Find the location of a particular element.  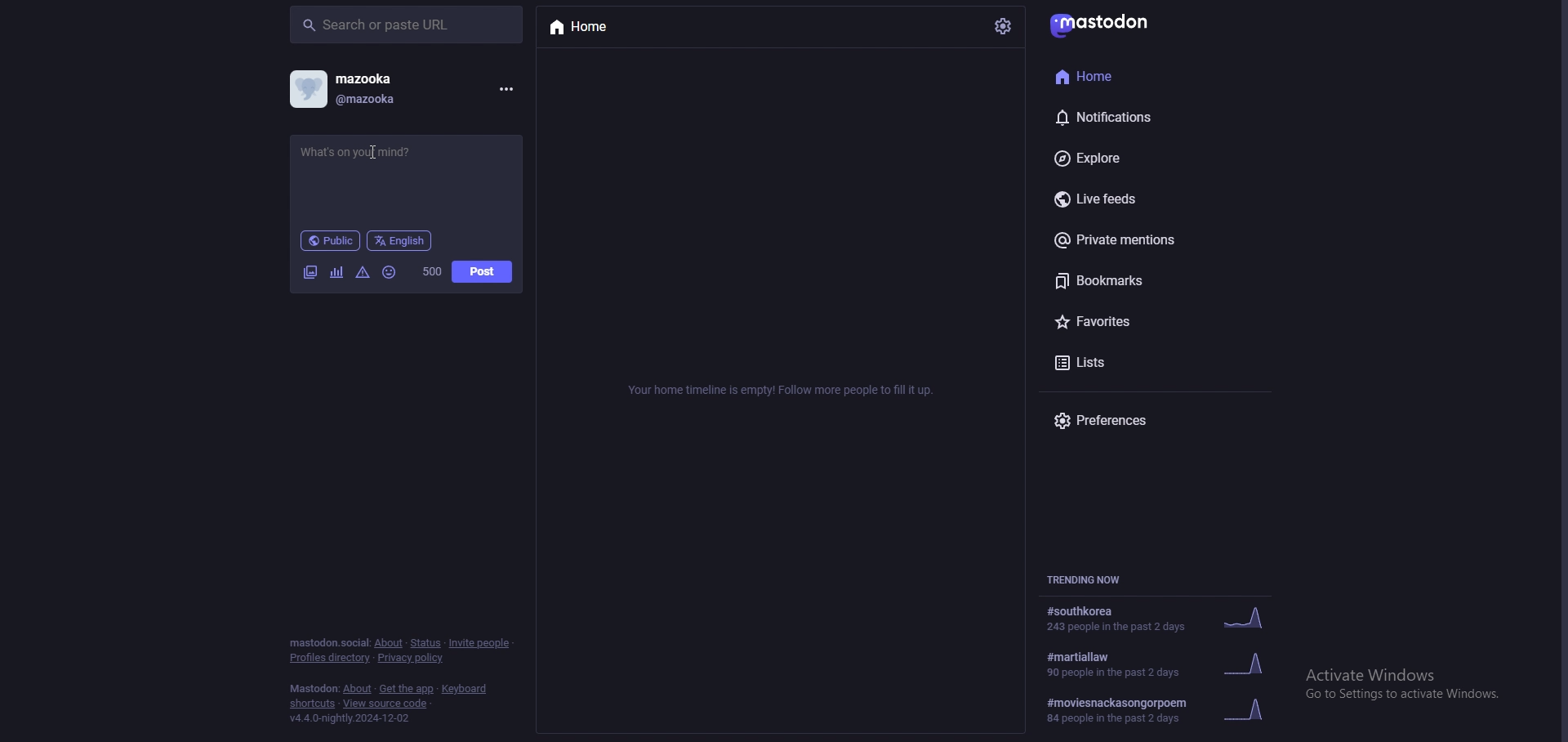

profiles directory is located at coordinates (330, 658).